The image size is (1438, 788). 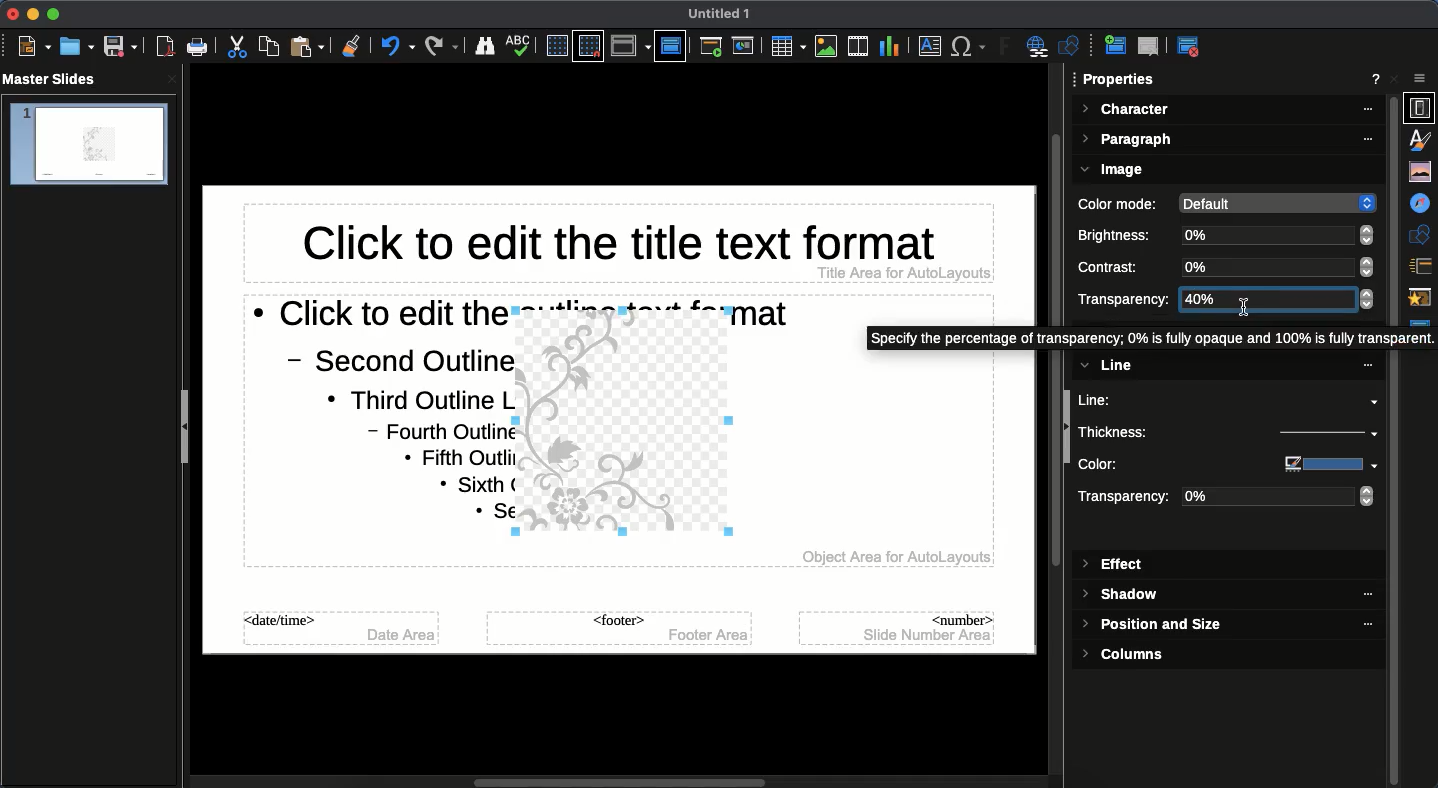 What do you see at coordinates (309, 46) in the screenshot?
I see `Paste` at bounding box center [309, 46].